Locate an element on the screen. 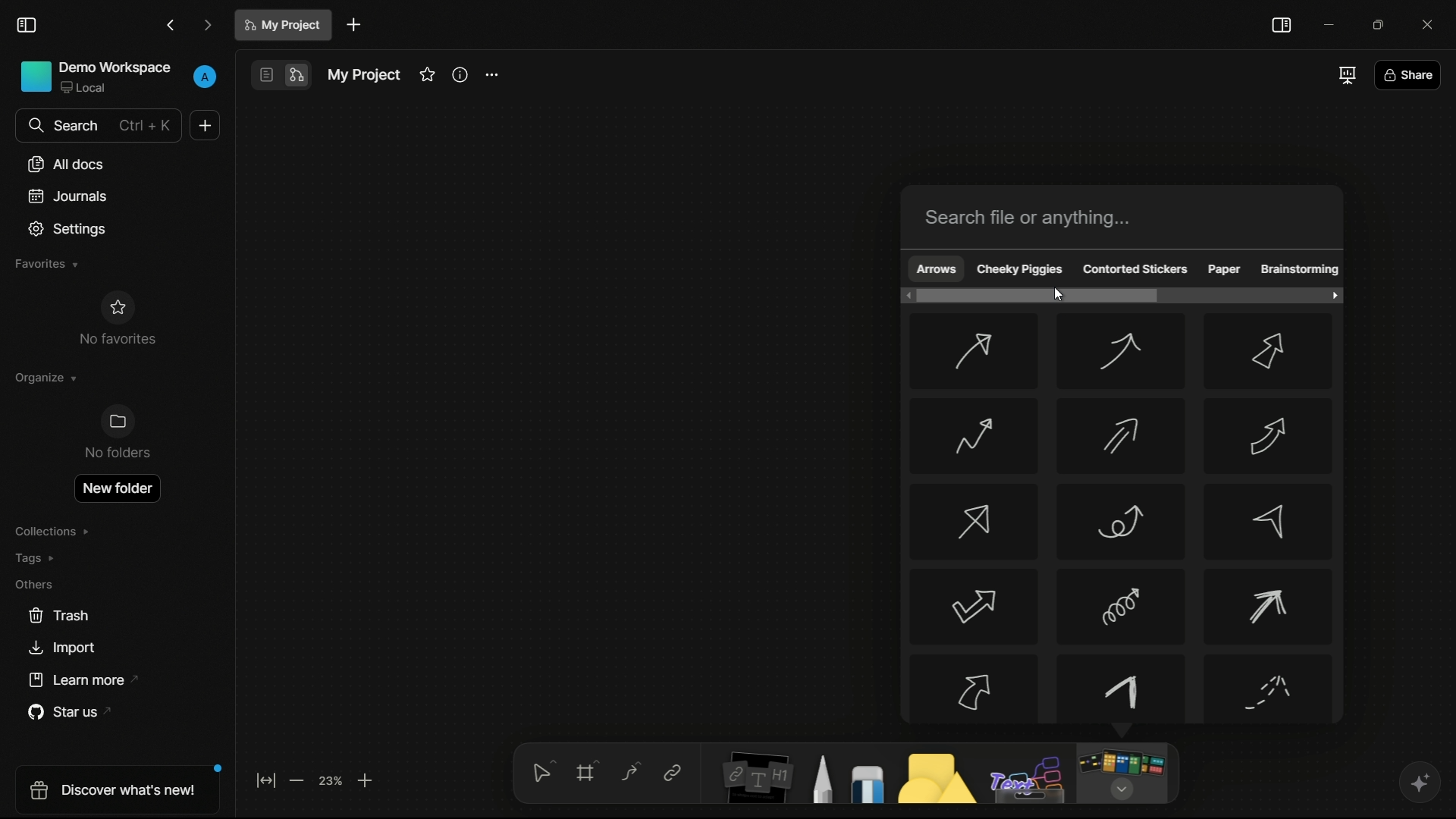 The height and width of the screenshot is (819, 1456). arrow-3 is located at coordinates (1271, 353).